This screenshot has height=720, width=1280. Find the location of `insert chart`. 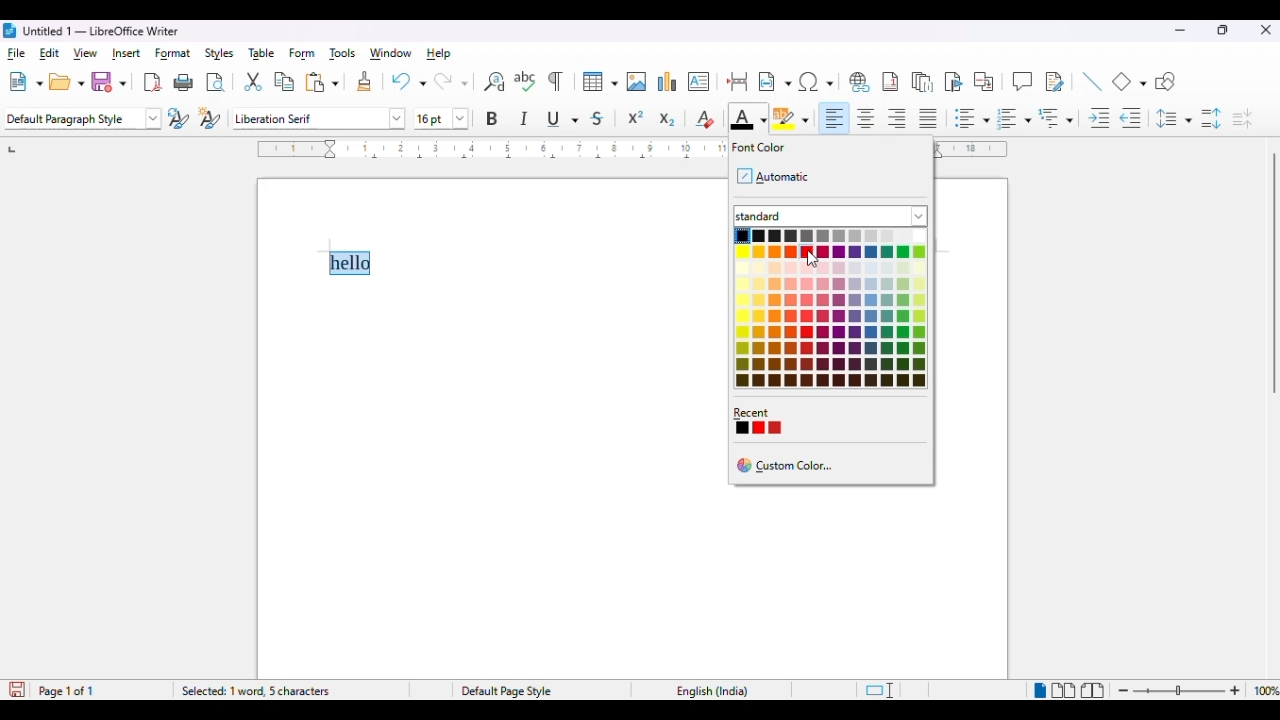

insert chart is located at coordinates (668, 81).